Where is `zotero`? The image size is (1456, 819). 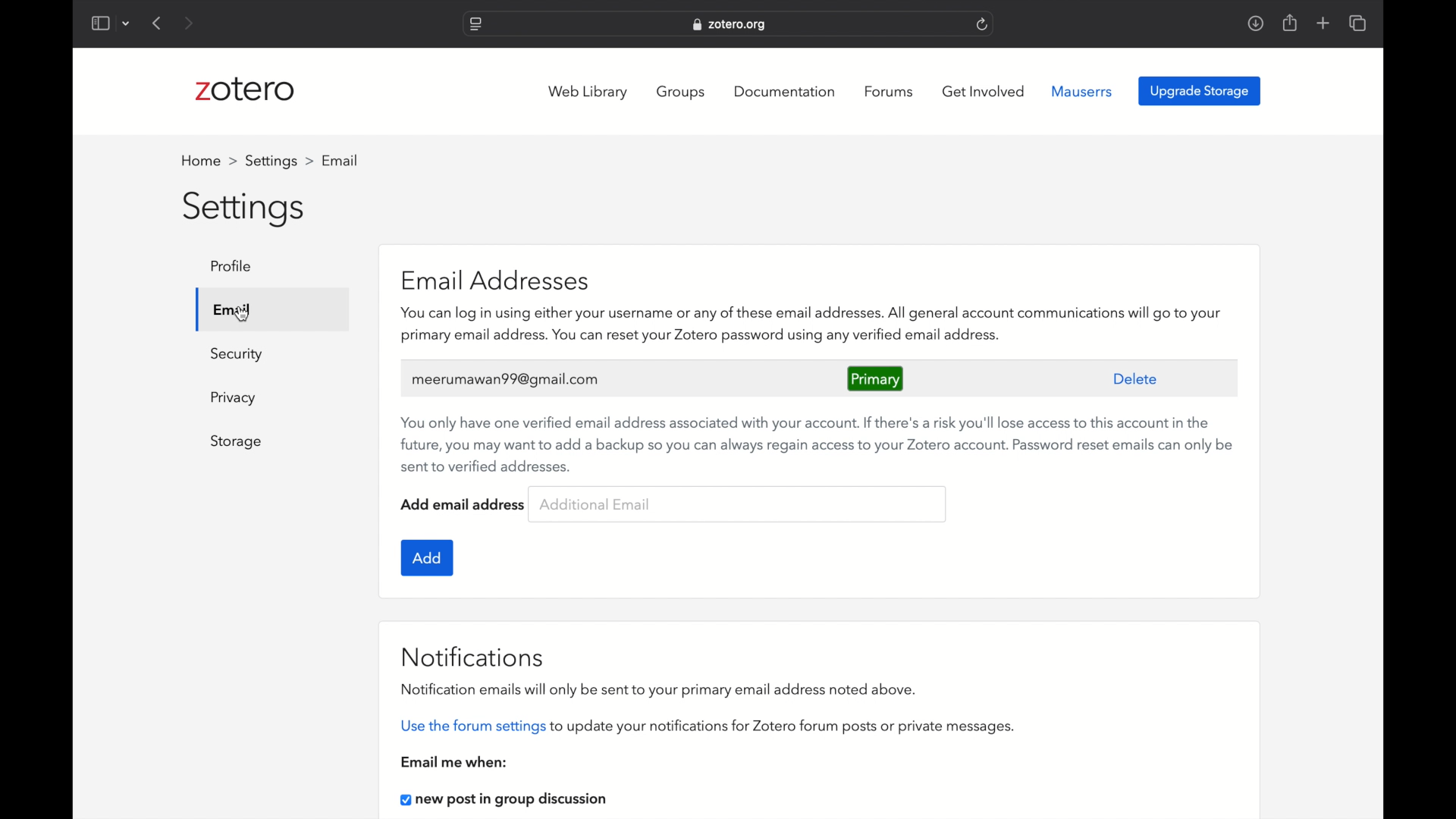 zotero is located at coordinates (244, 89).